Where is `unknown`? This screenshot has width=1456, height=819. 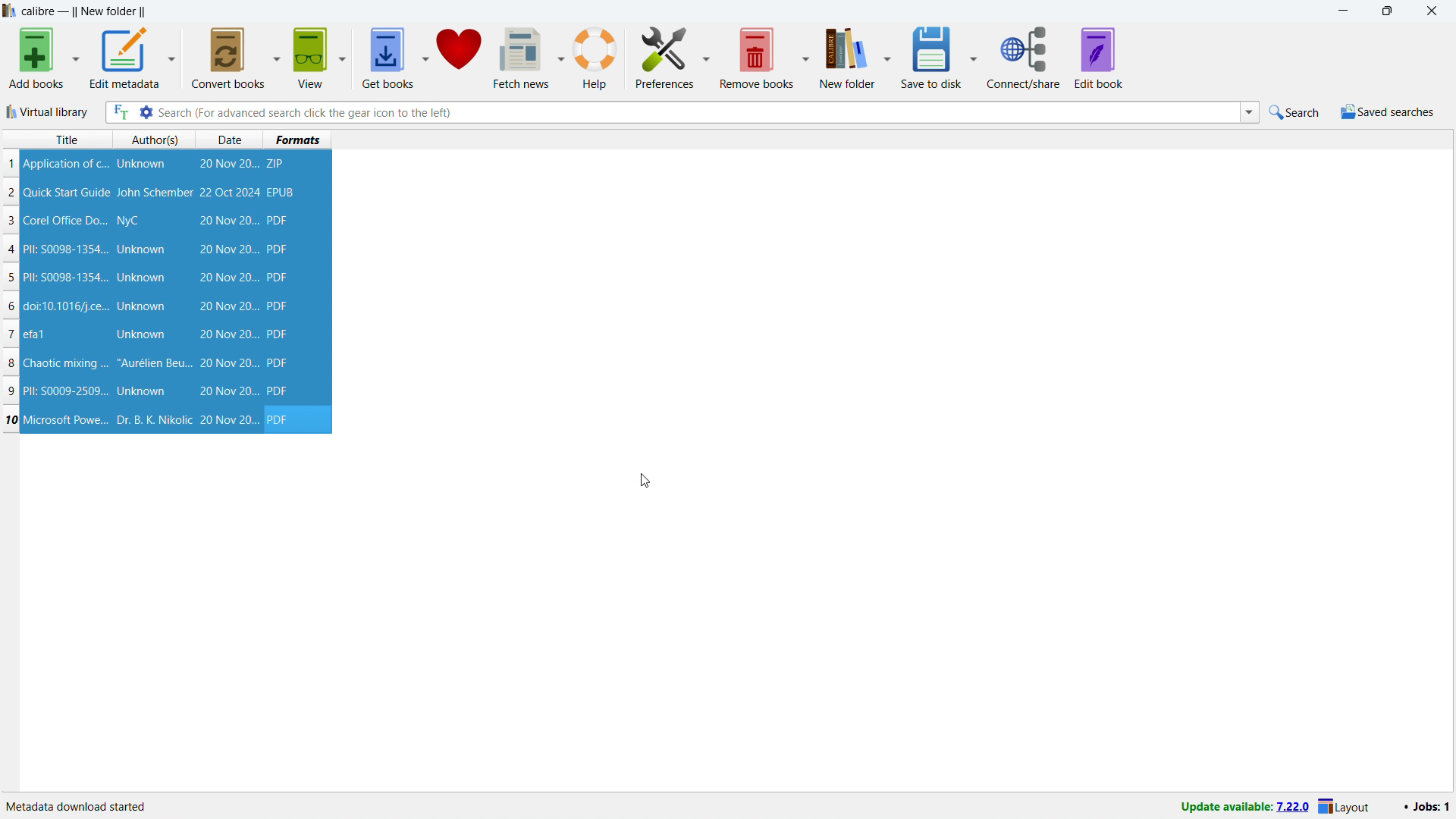 unknown is located at coordinates (142, 164).